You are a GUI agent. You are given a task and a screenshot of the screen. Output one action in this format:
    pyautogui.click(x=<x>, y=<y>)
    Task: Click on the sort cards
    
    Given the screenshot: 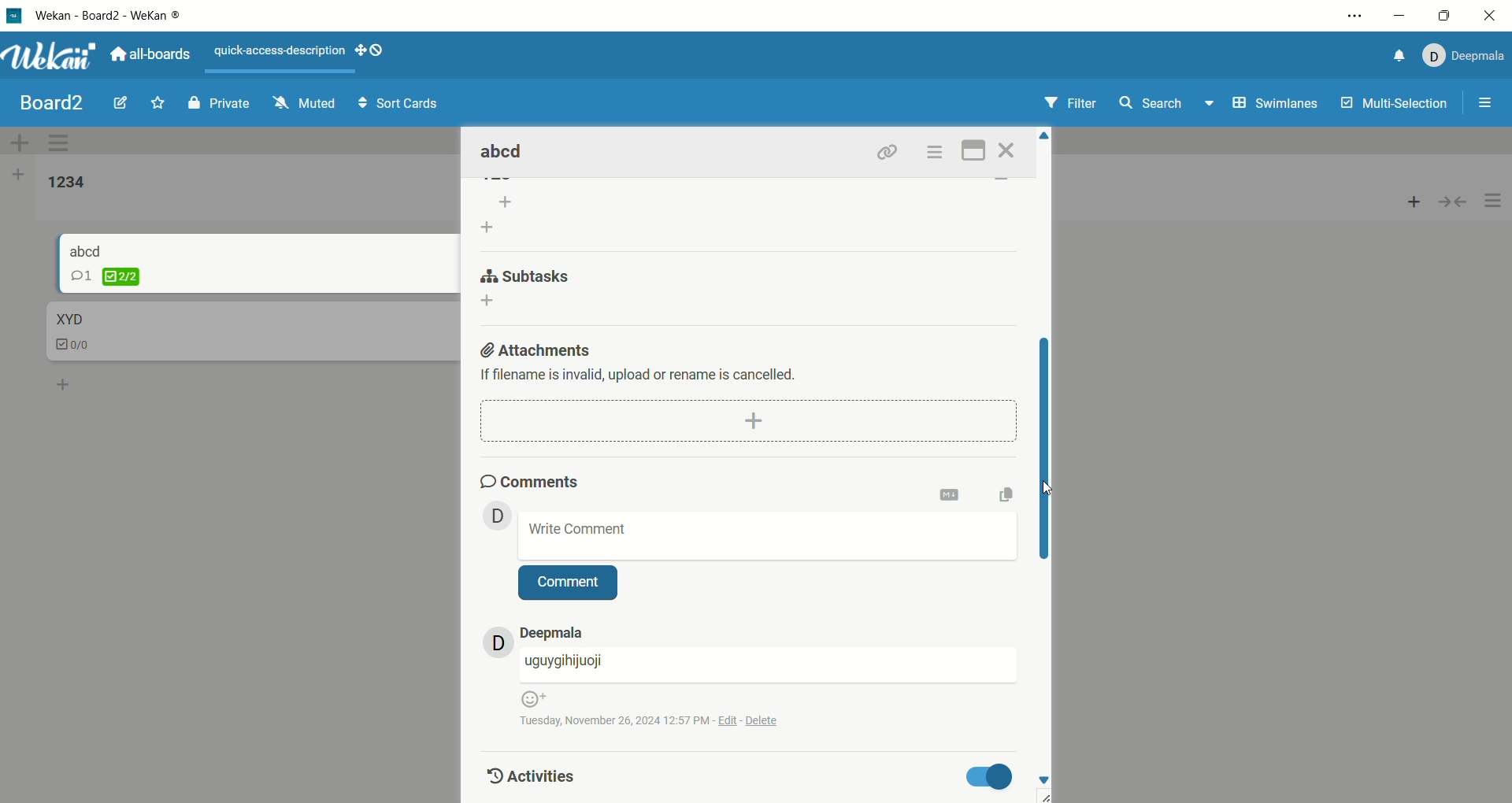 What is the action you would take?
    pyautogui.click(x=398, y=105)
    